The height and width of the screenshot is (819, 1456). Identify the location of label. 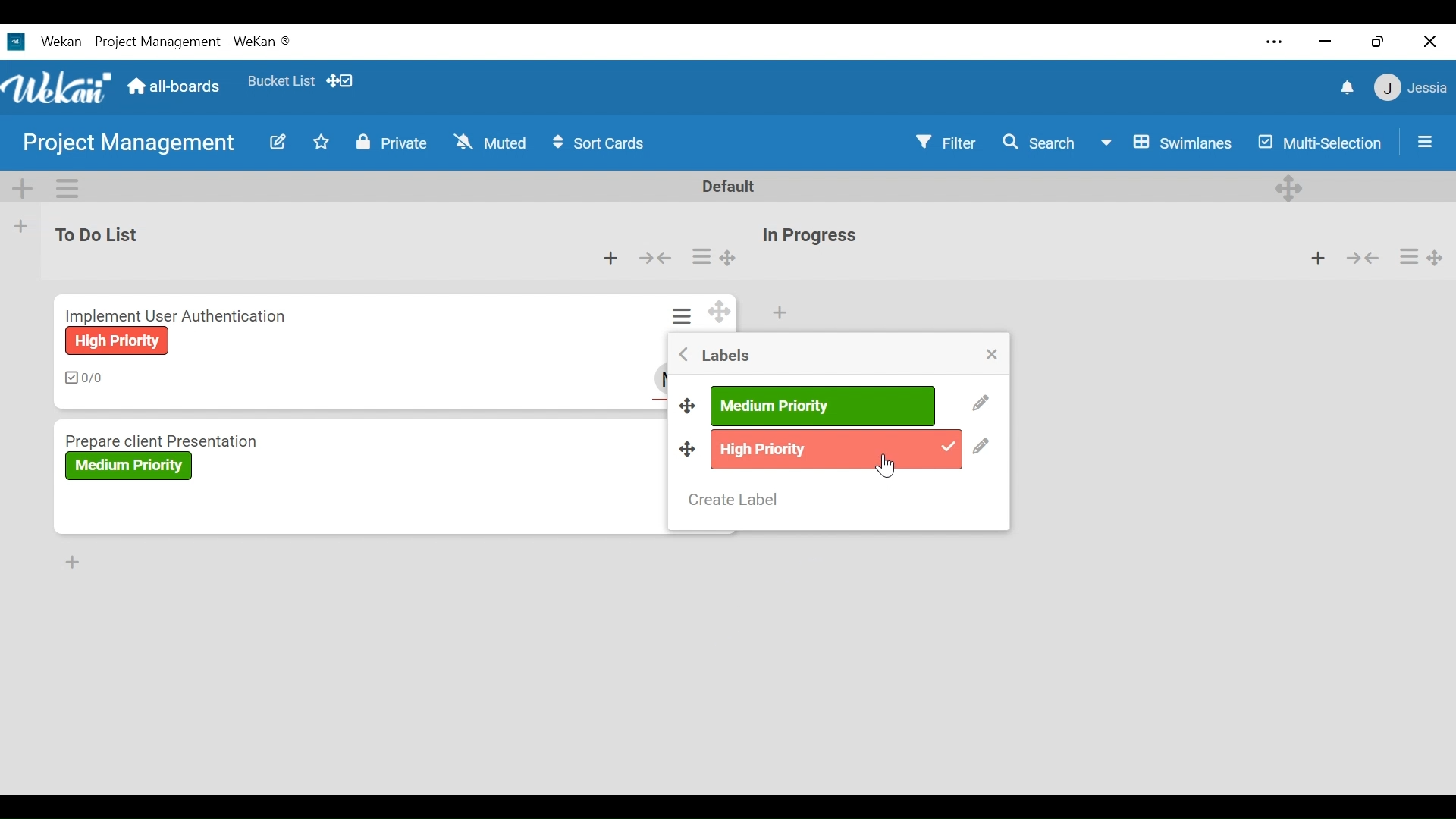
(835, 450).